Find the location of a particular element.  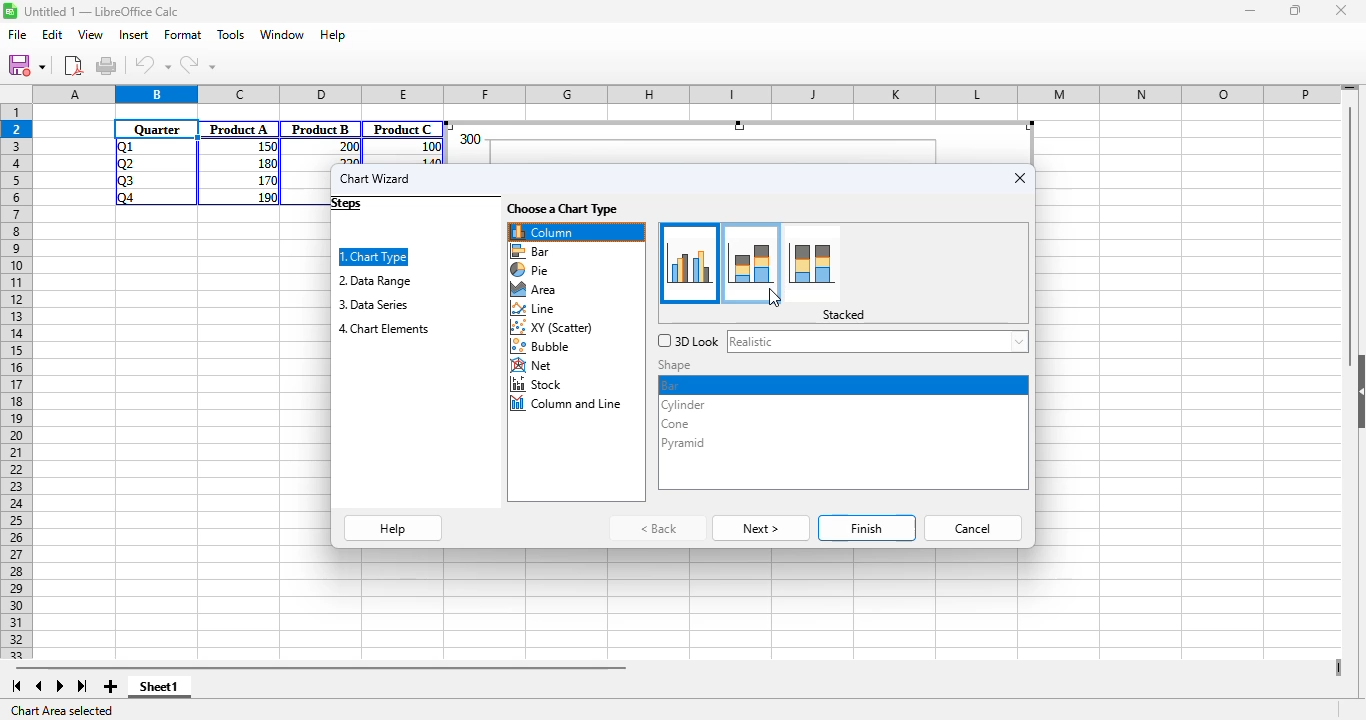

shape is located at coordinates (677, 365).